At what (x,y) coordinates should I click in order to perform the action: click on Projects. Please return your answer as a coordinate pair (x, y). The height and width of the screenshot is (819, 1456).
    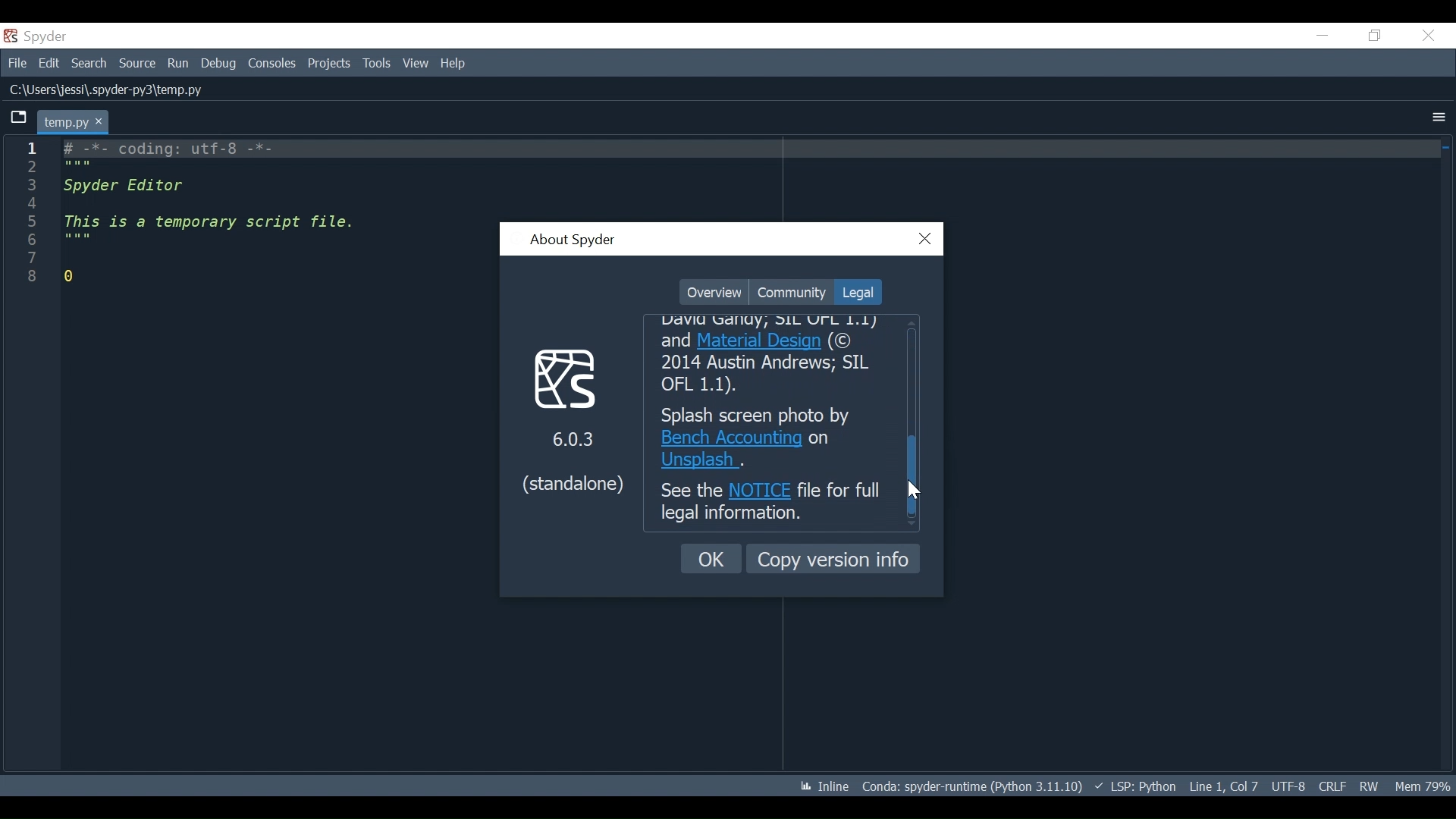
    Looking at the image, I should click on (329, 64).